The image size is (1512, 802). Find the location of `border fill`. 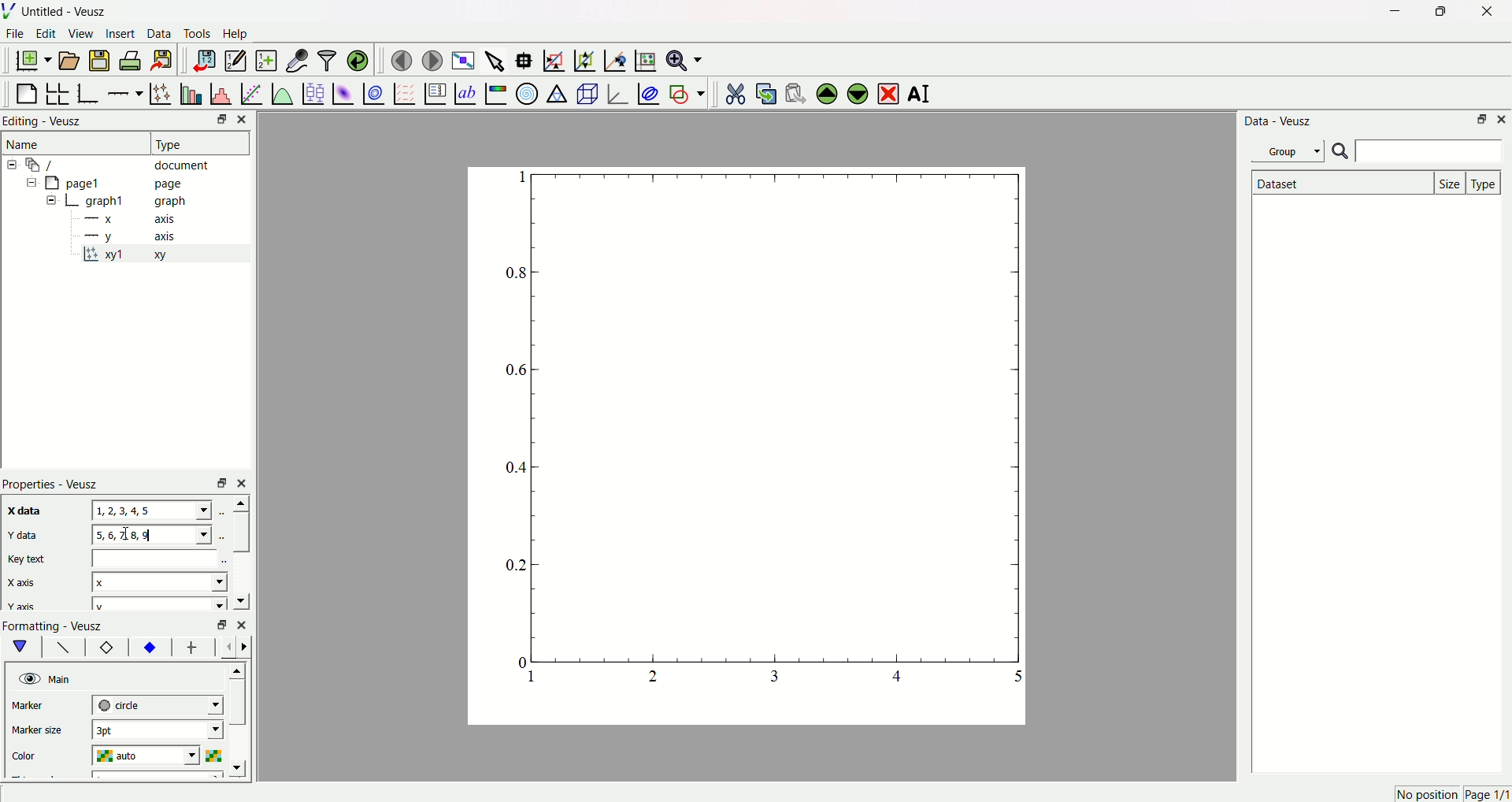

border fill is located at coordinates (149, 647).